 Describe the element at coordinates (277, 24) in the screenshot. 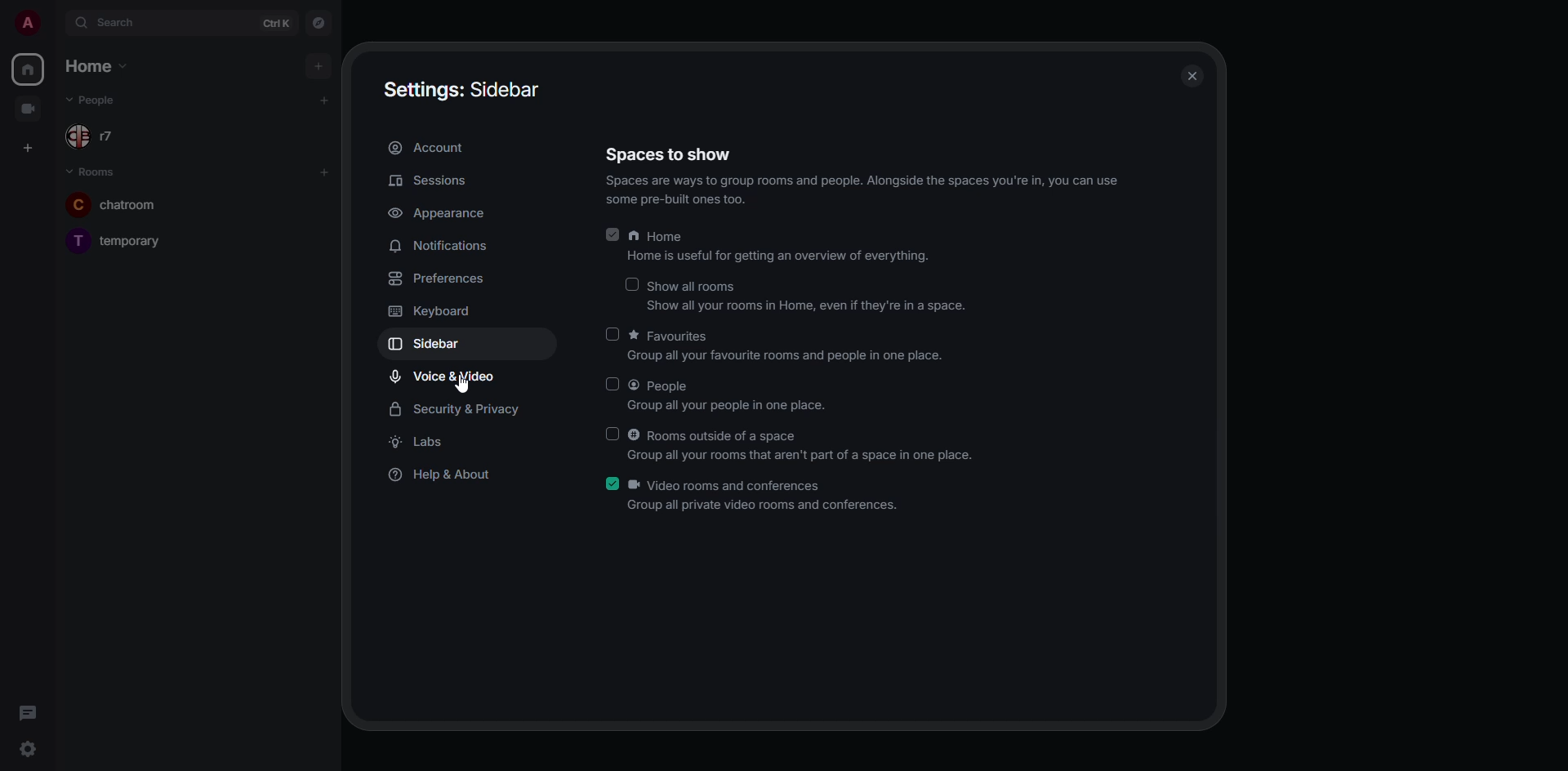

I see `ctrl K` at that location.